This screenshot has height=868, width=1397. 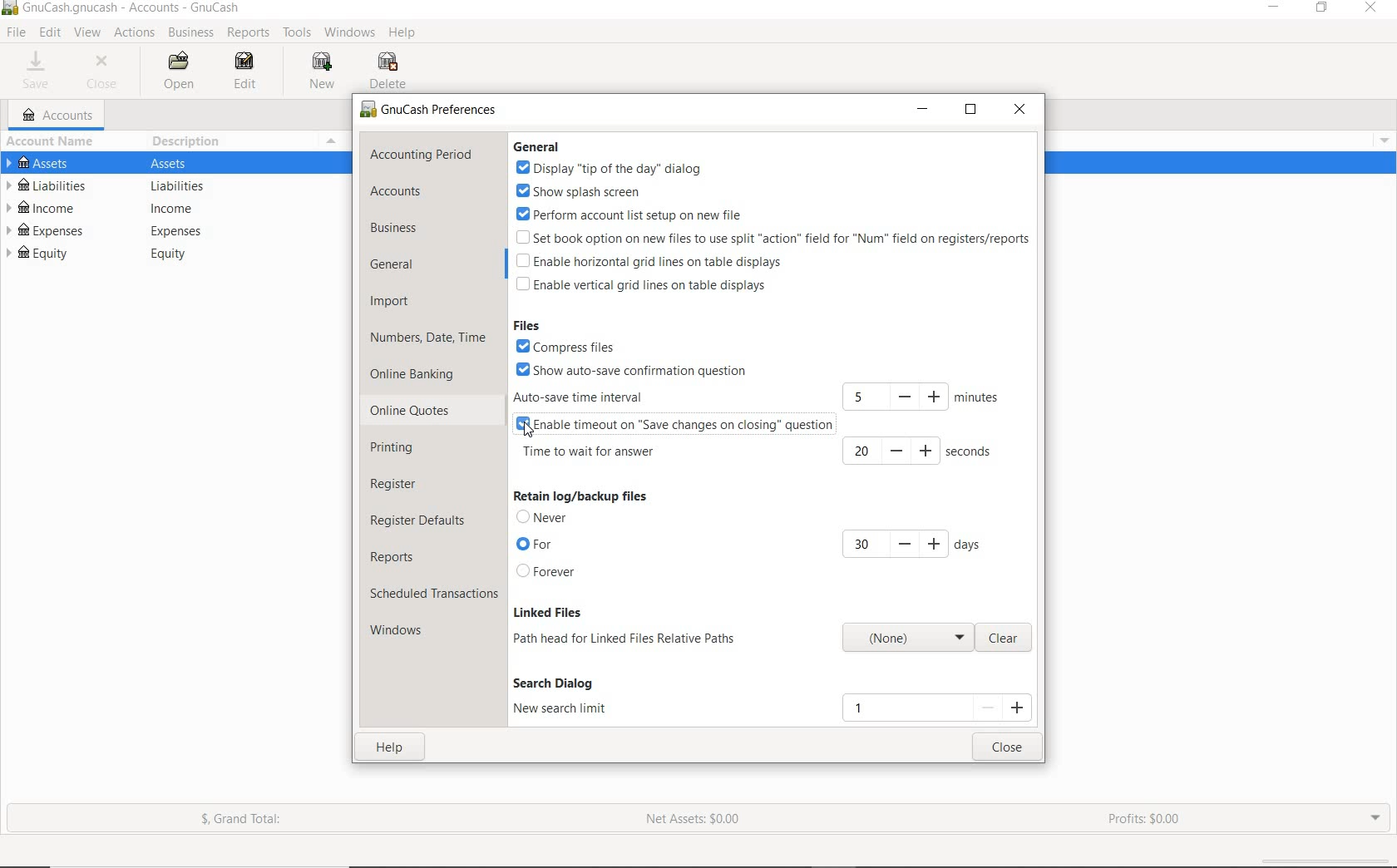 What do you see at coordinates (385, 749) in the screenshot?
I see `HELP` at bounding box center [385, 749].